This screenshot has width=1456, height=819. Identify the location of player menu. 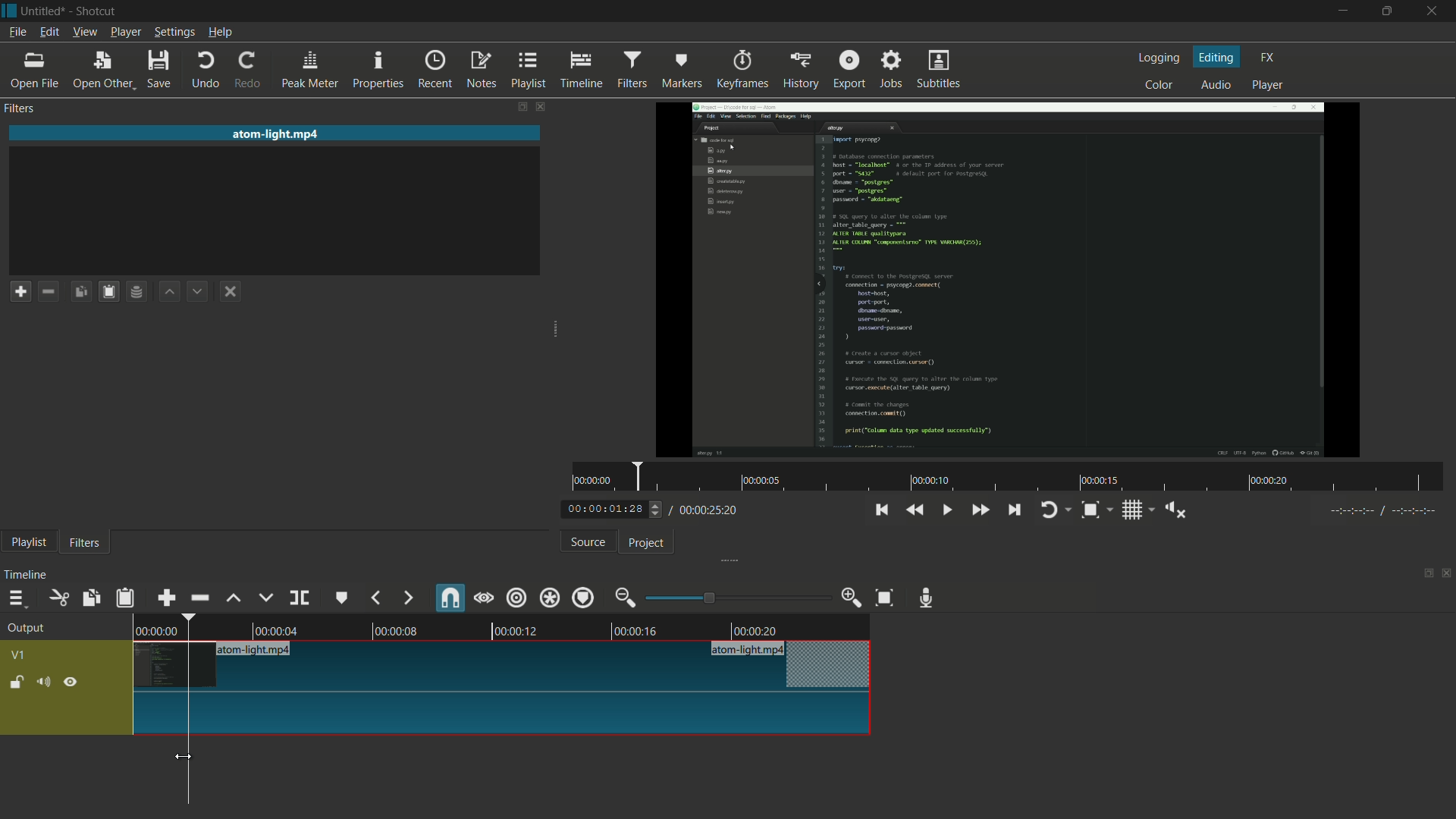
(125, 32).